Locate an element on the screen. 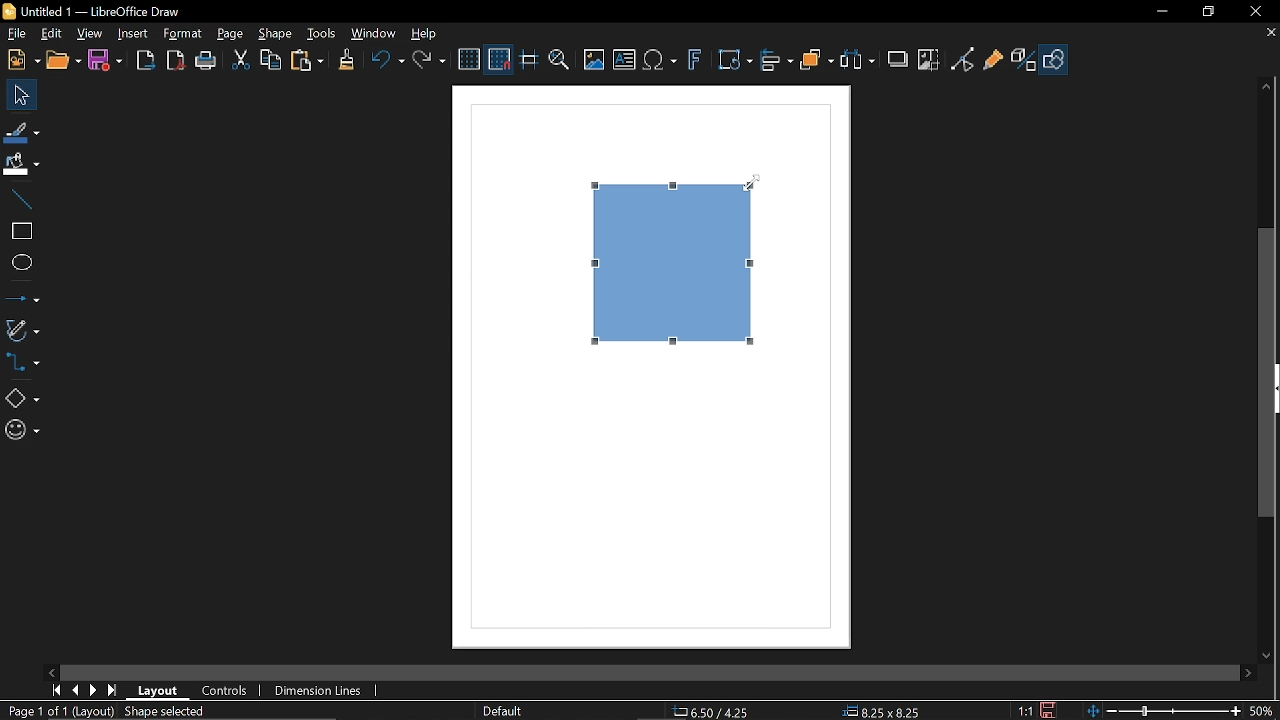 The image size is (1280, 720). Controls is located at coordinates (223, 691).